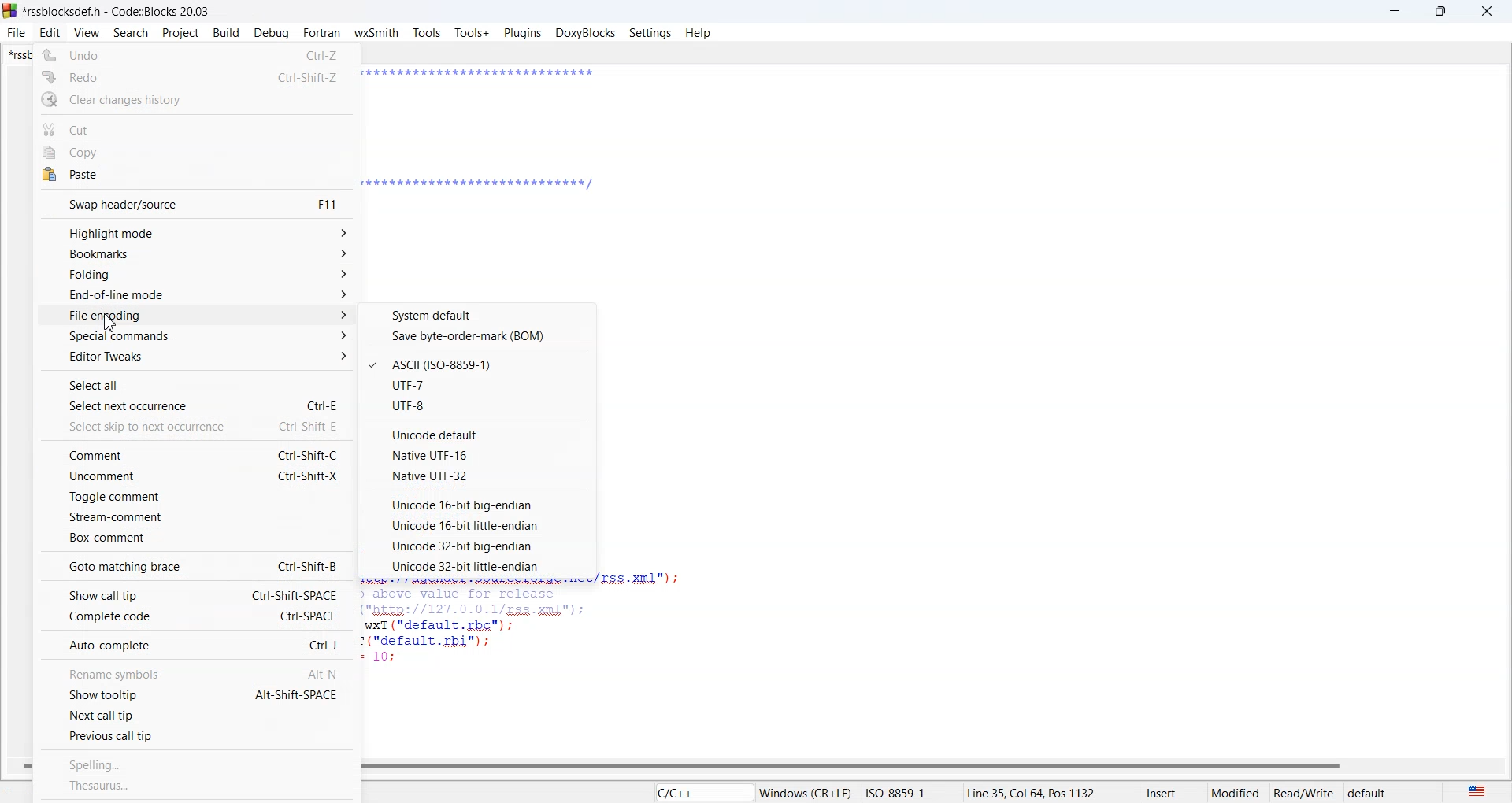  Describe the element at coordinates (479, 454) in the screenshot. I see `Native UTF-16` at that location.